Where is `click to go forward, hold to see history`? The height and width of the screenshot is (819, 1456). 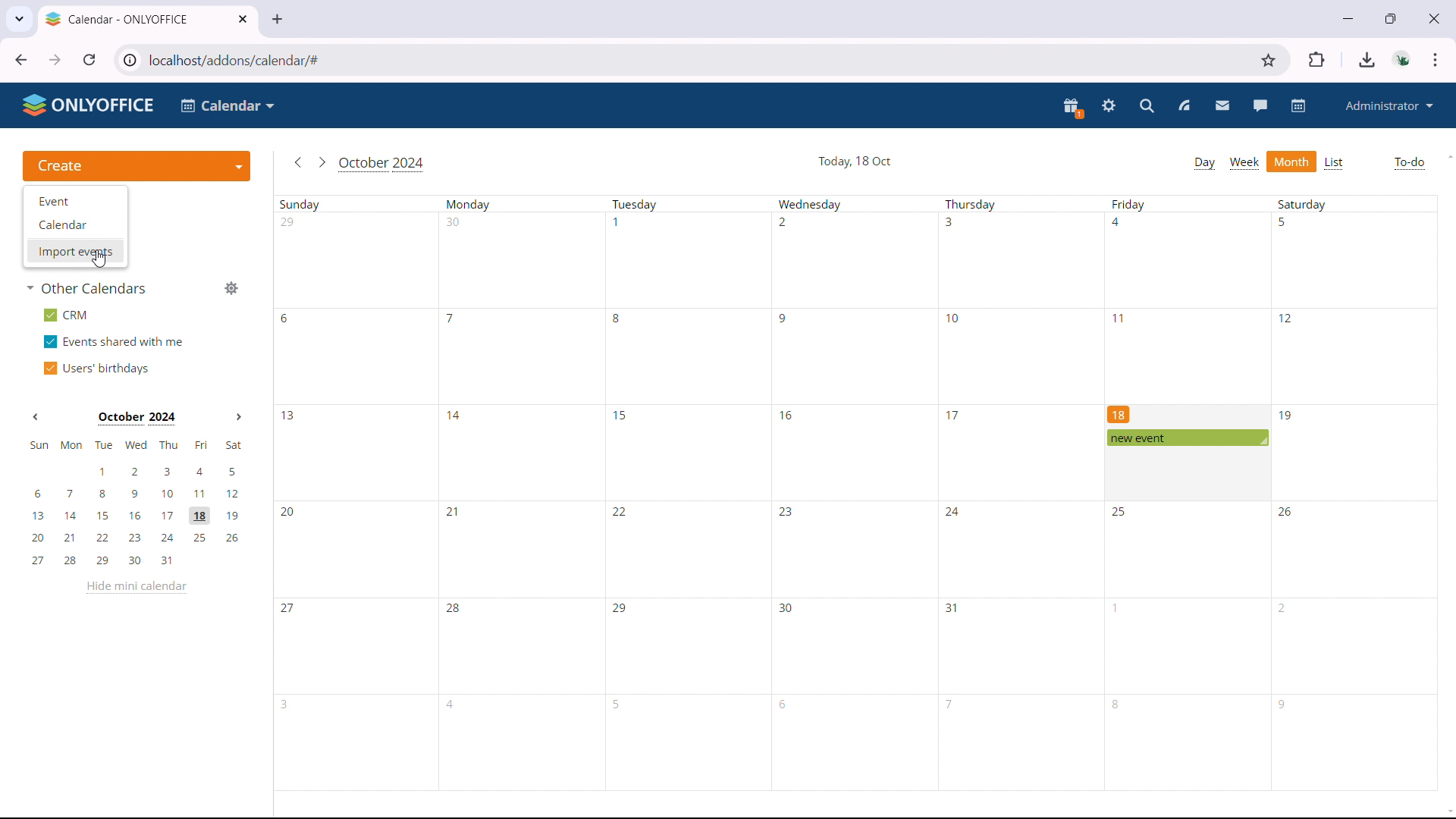
click to go forward, hold to see history is located at coordinates (55, 60).